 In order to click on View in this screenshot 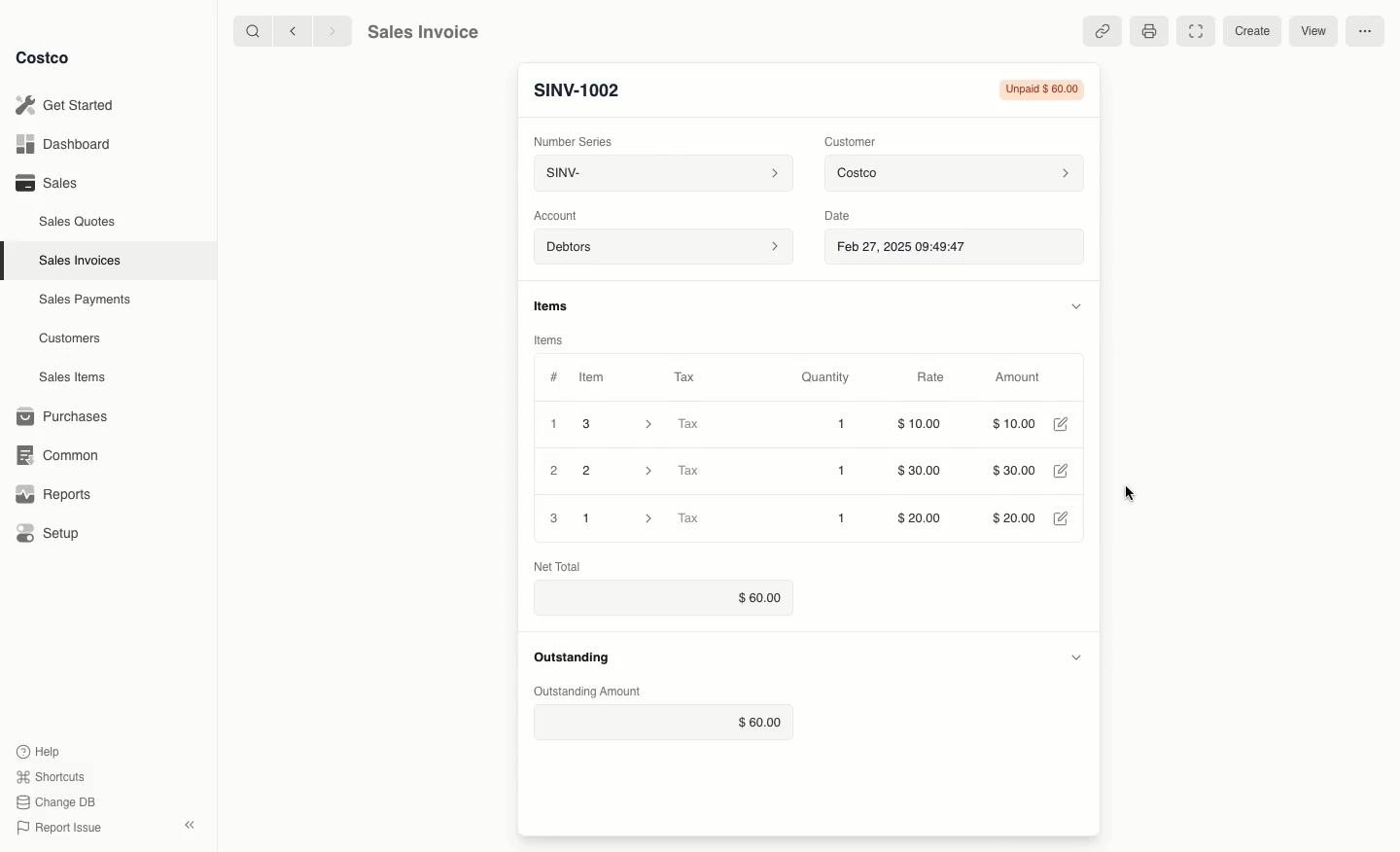, I will do `click(1317, 32)`.